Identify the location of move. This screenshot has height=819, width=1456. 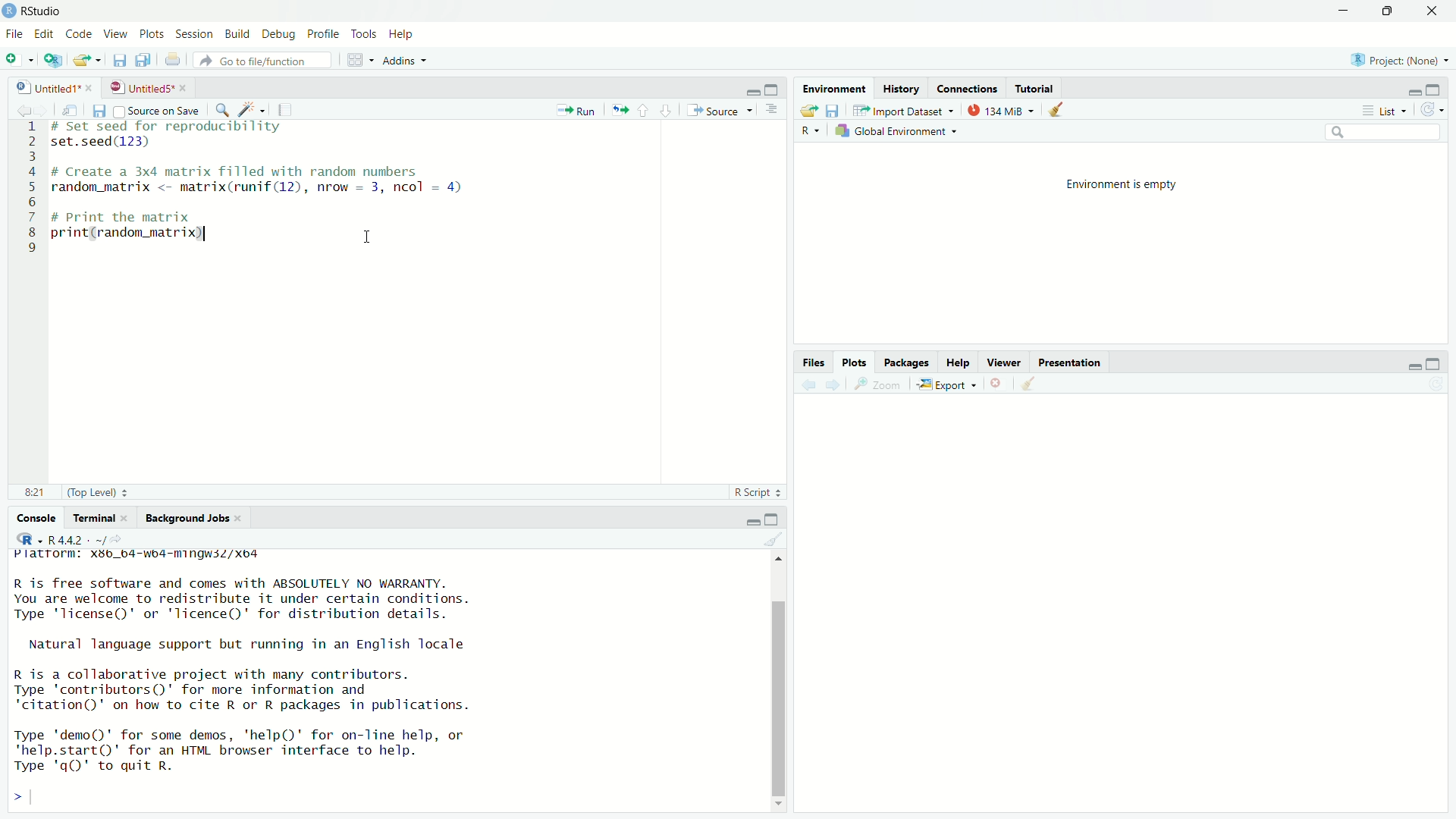
(621, 108).